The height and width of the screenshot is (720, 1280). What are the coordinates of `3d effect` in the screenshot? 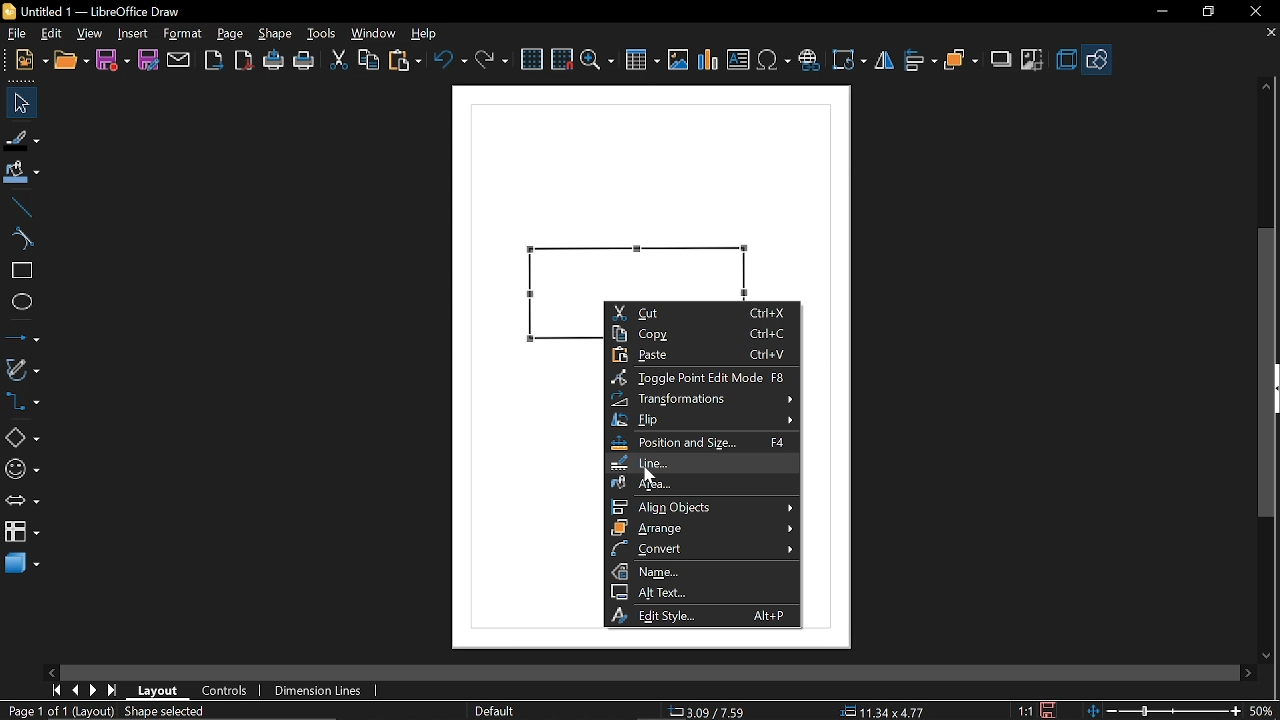 It's located at (1066, 60).